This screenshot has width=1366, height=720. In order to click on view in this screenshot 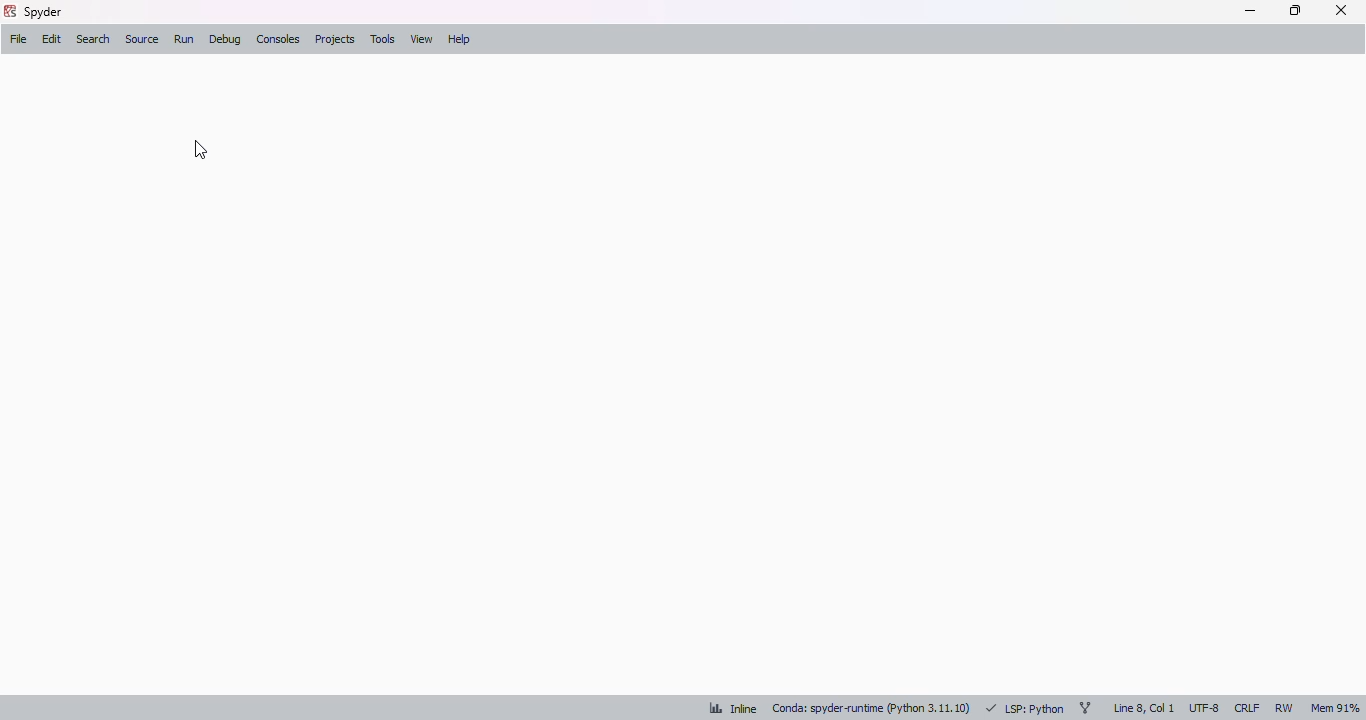, I will do `click(421, 39)`.